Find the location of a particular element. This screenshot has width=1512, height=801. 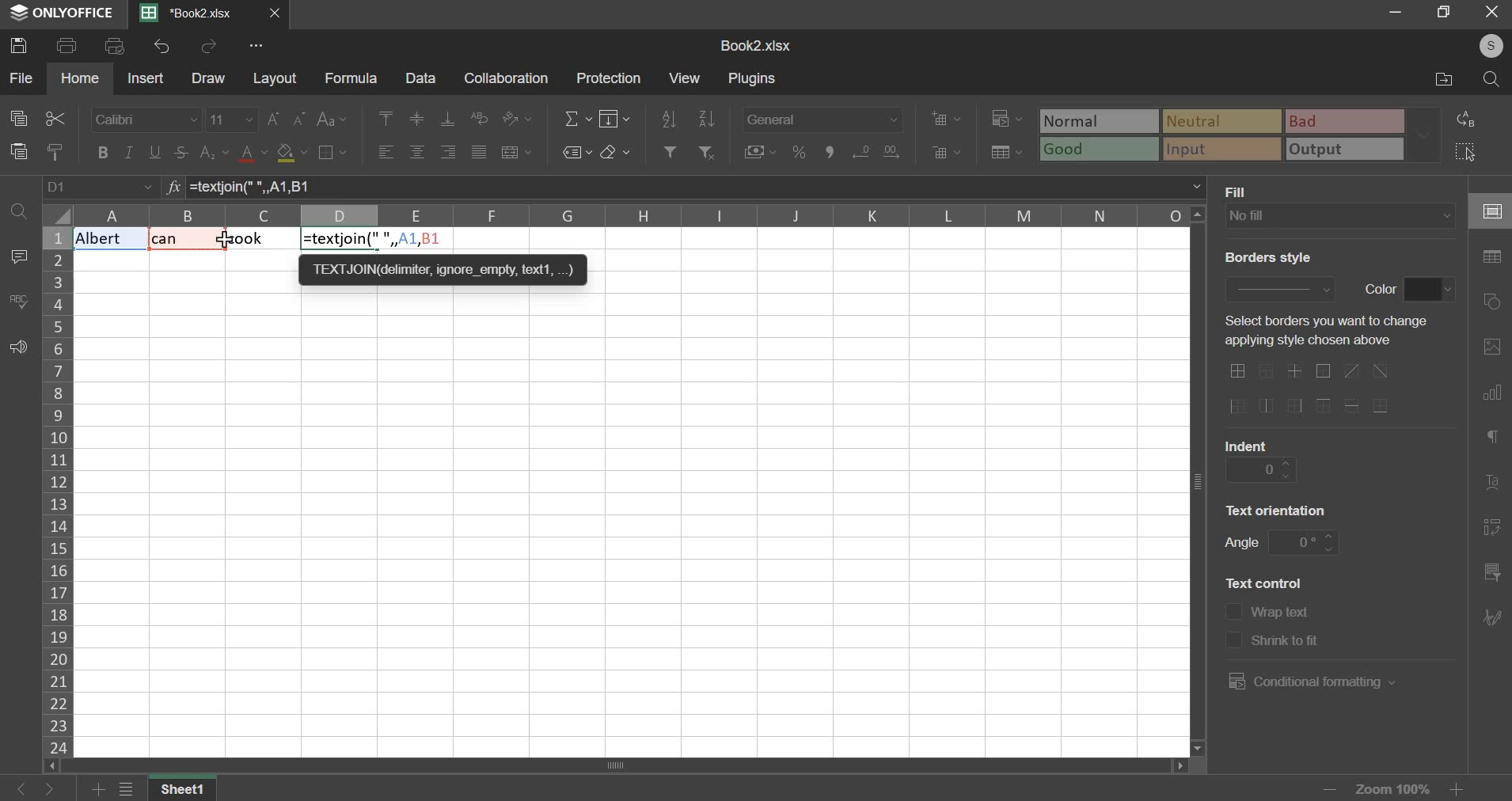

decrease decimals is located at coordinates (891, 149).